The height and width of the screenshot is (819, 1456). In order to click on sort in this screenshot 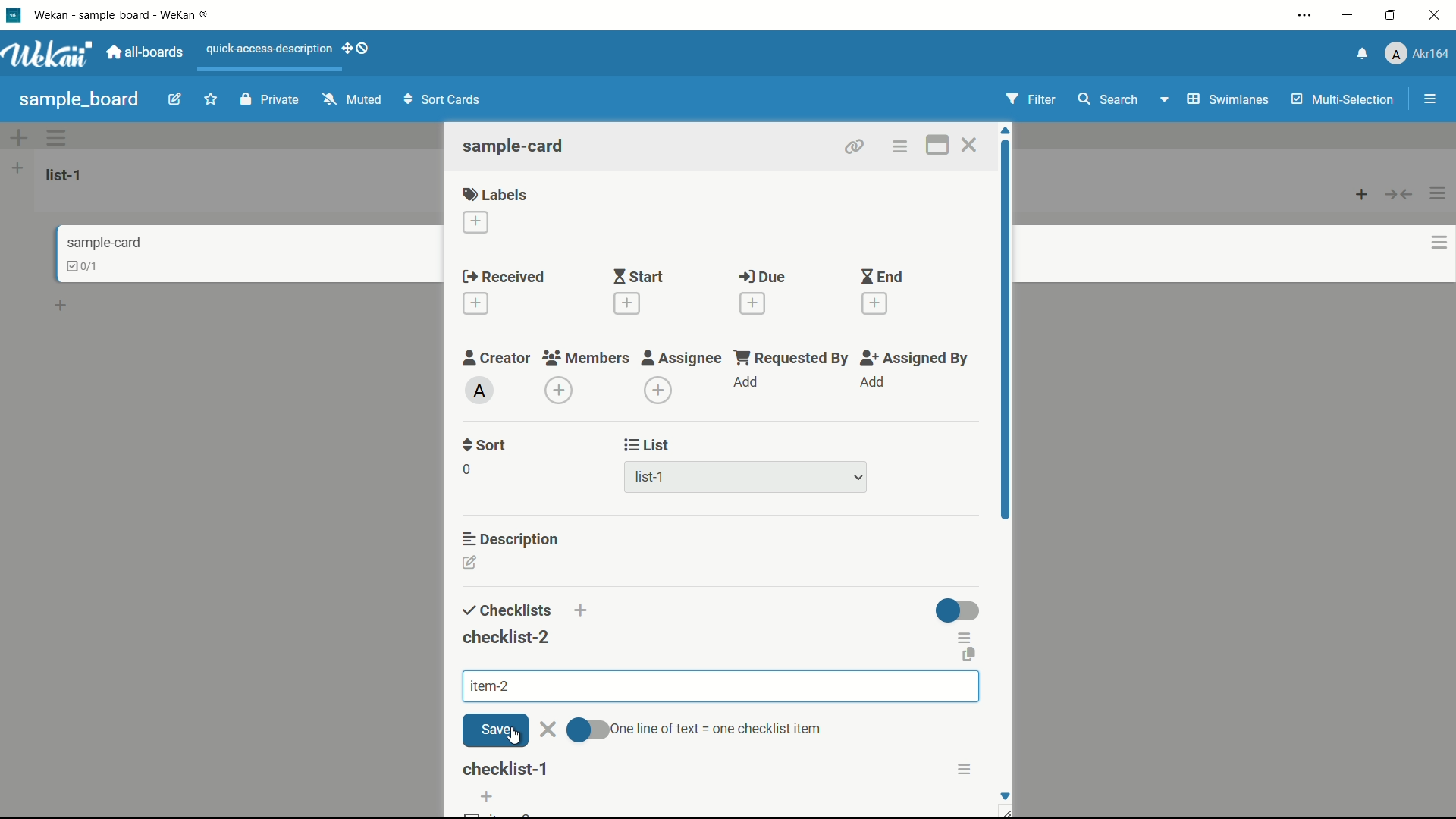, I will do `click(485, 445)`.